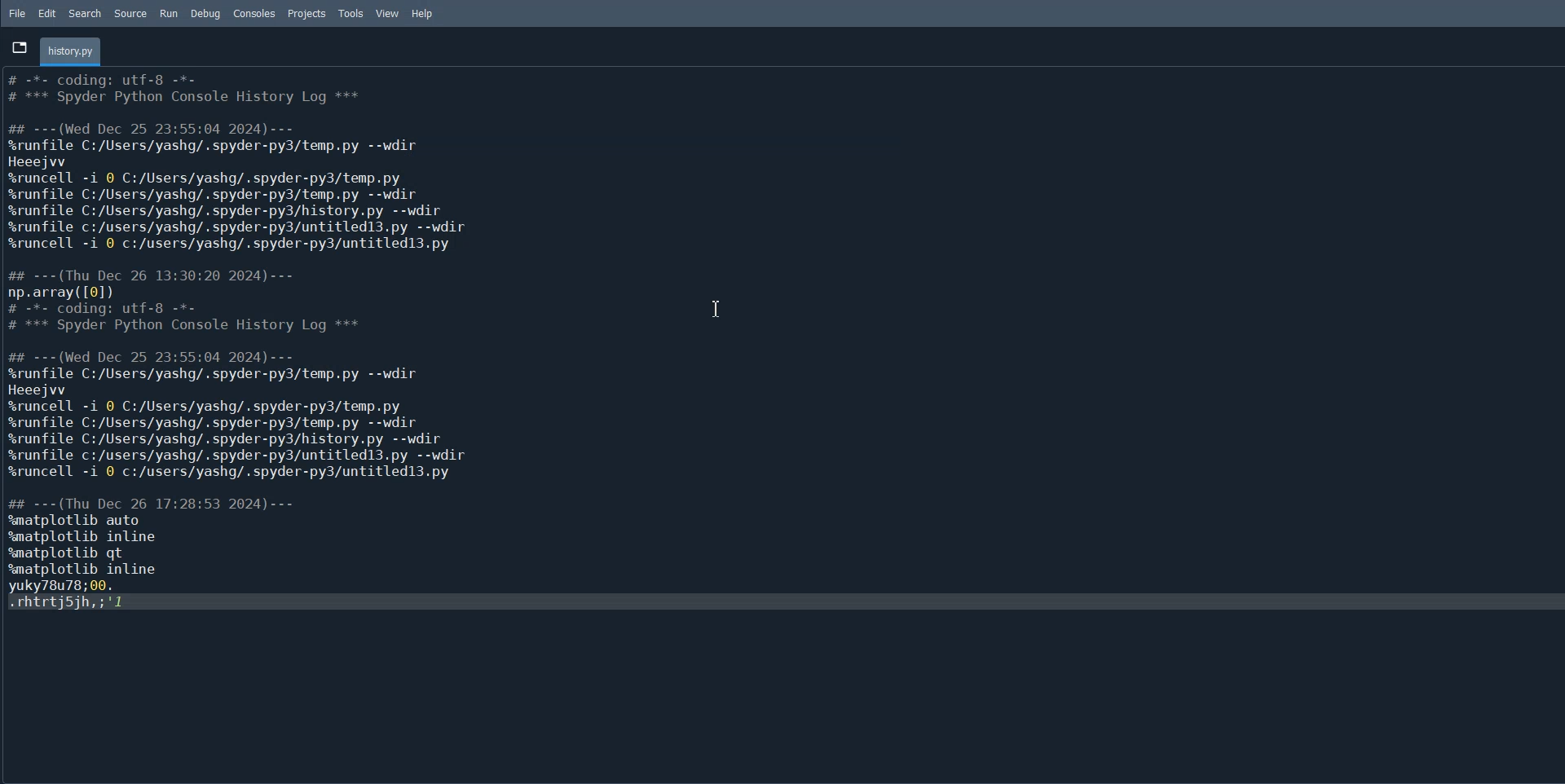 The width and height of the screenshot is (1565, 784). I want to click on Edit, so click(47, 13).